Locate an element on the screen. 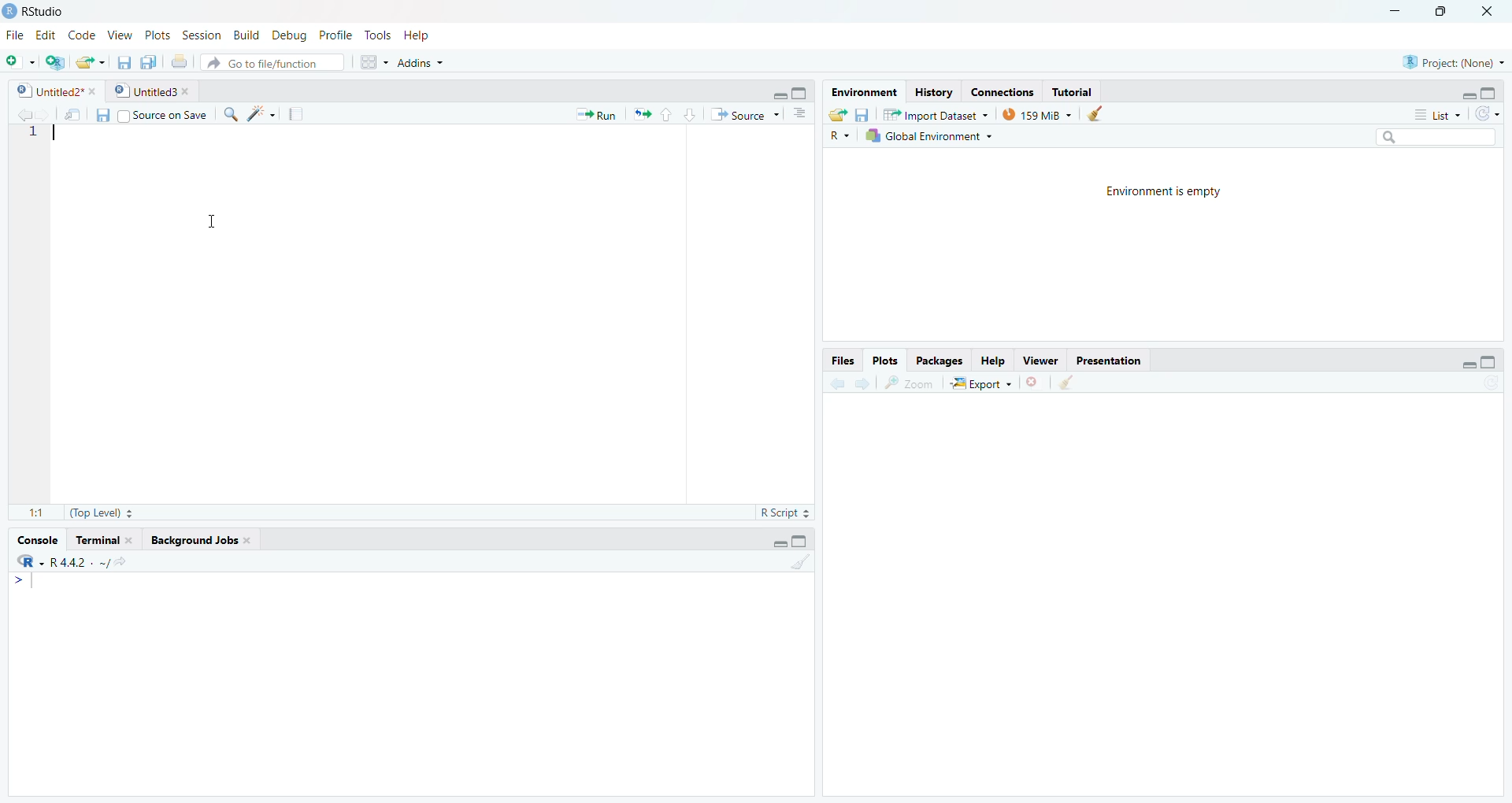 The width and height of the screenshot is (1512, 803). Open folder is located at coordinates (839, 115).